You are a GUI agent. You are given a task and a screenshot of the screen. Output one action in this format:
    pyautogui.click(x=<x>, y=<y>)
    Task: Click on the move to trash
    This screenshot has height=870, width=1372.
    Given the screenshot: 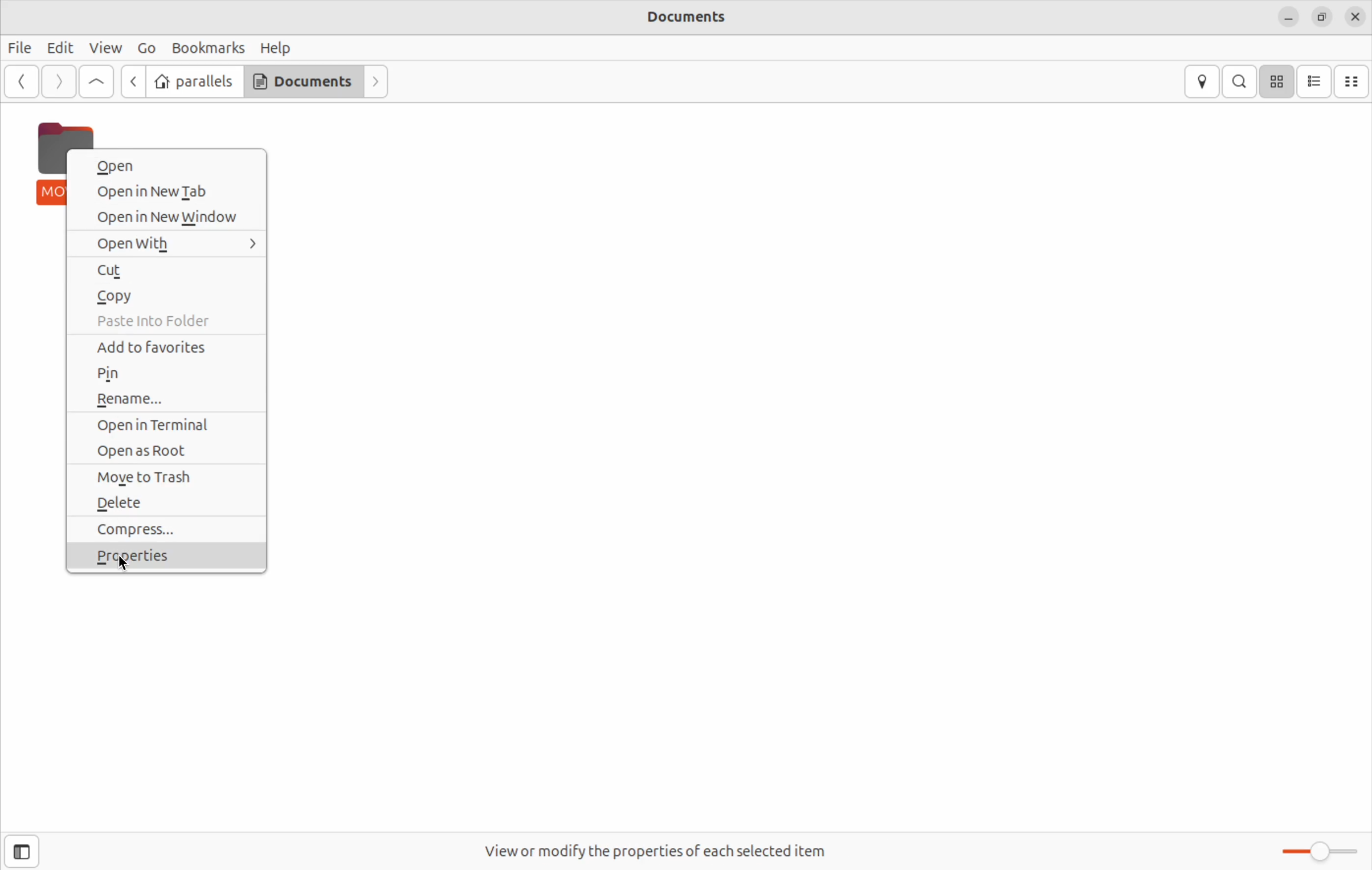 What is the action you would take?
    pyautogui.click(x=170, y=476)
    